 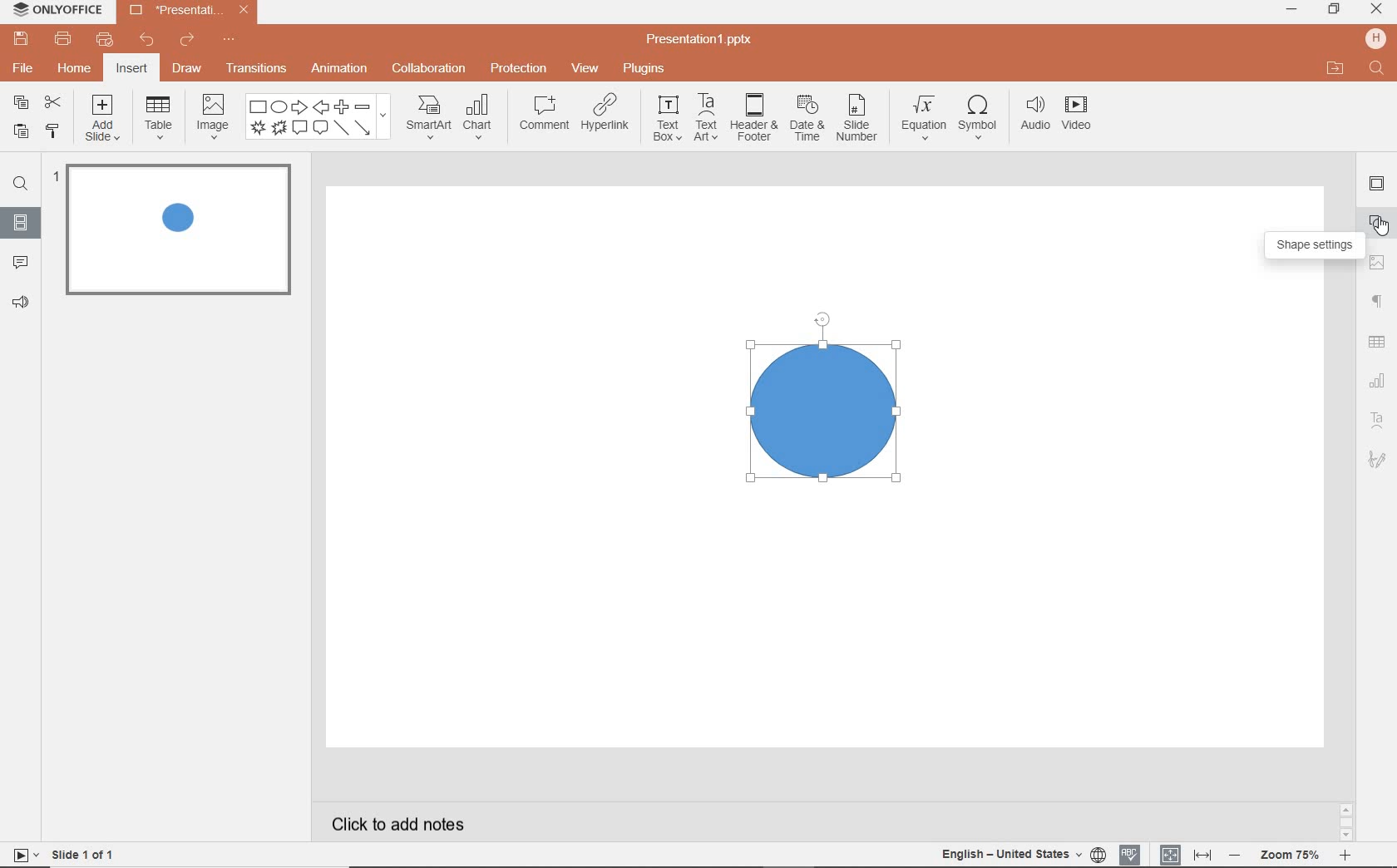 I want to click on text box, so click(x=667, y=118).